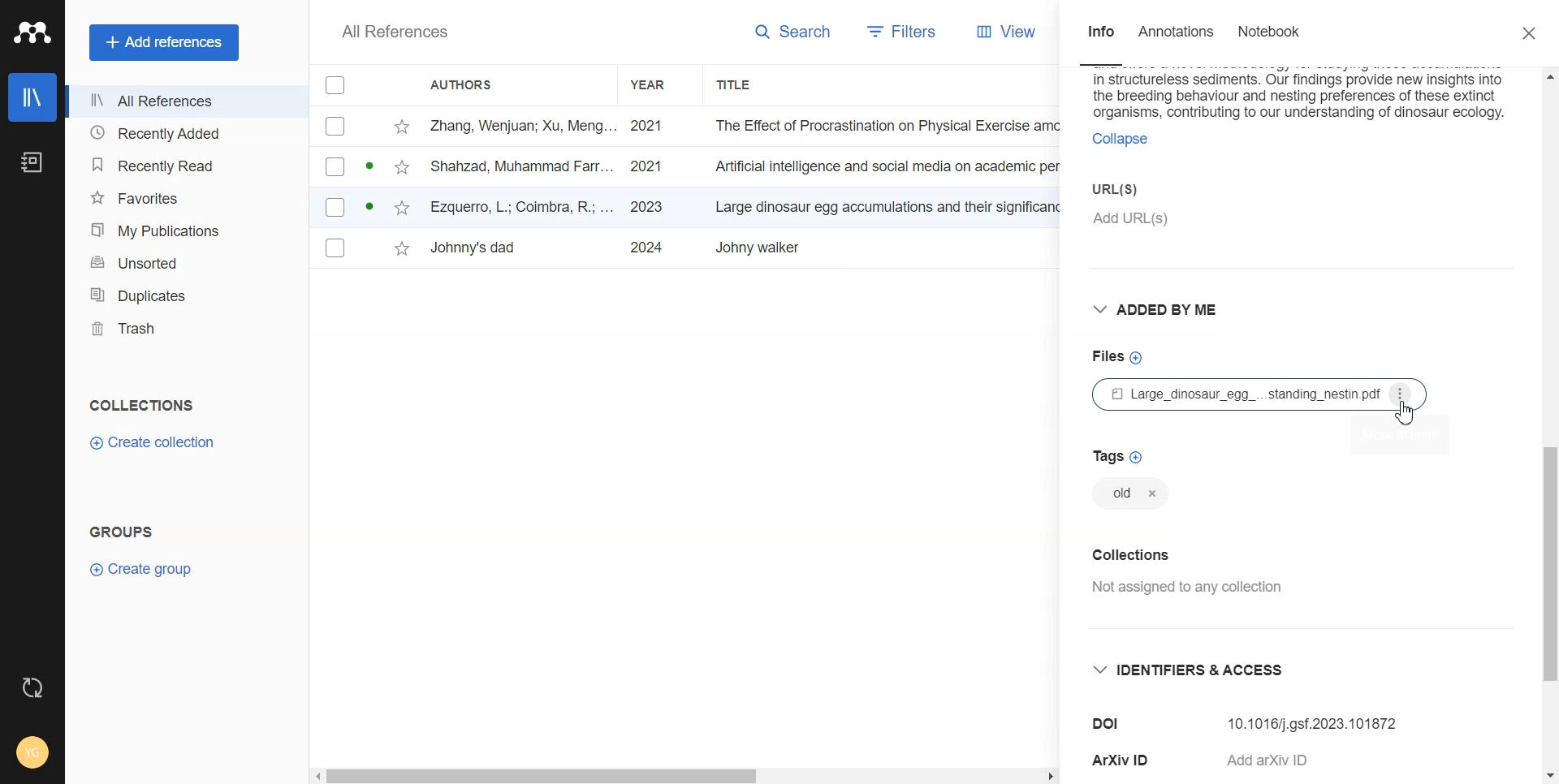 Image resolution: width=1559 pixels, height=784 pixels. What do you see at coordinates (543, 778) in the screenshot?
I see `Horizontal scroll bar` at bounding box center [543, 778].